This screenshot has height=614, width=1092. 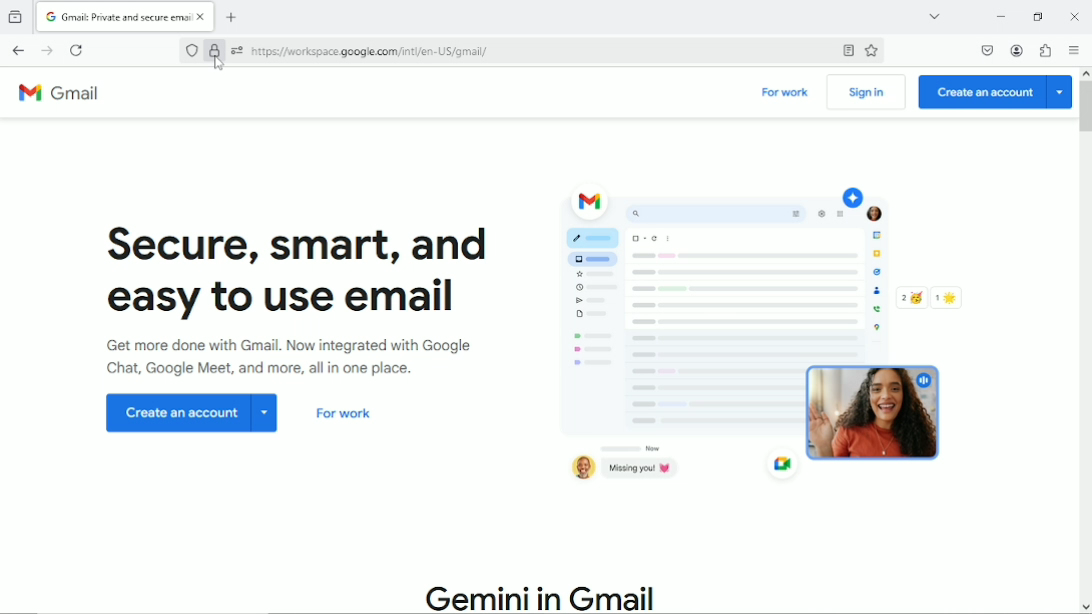 What do you see at coordinates (1075, 52) in the screenshot?
I see `Open application menu` at bounding box center [1075, 52].